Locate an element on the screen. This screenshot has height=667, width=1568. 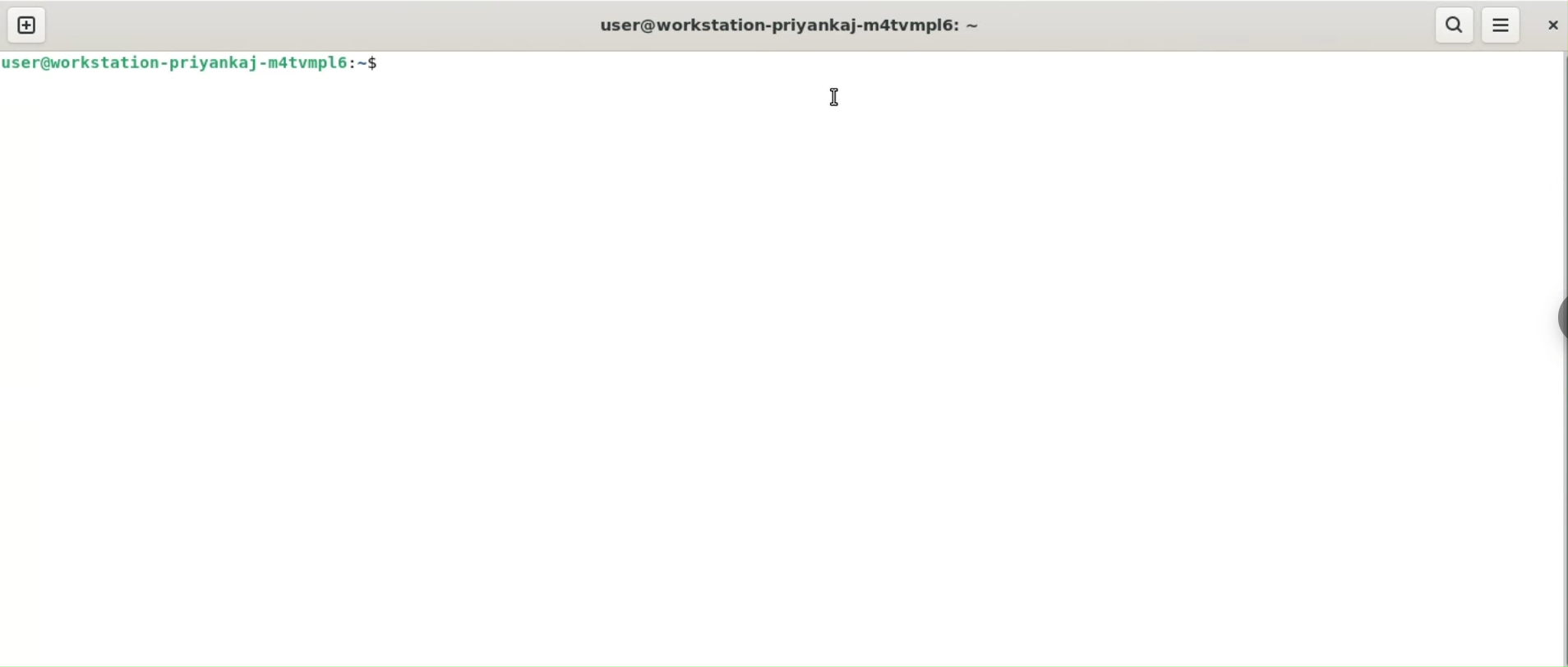
sidebar is located at coordinates (1558, 315).